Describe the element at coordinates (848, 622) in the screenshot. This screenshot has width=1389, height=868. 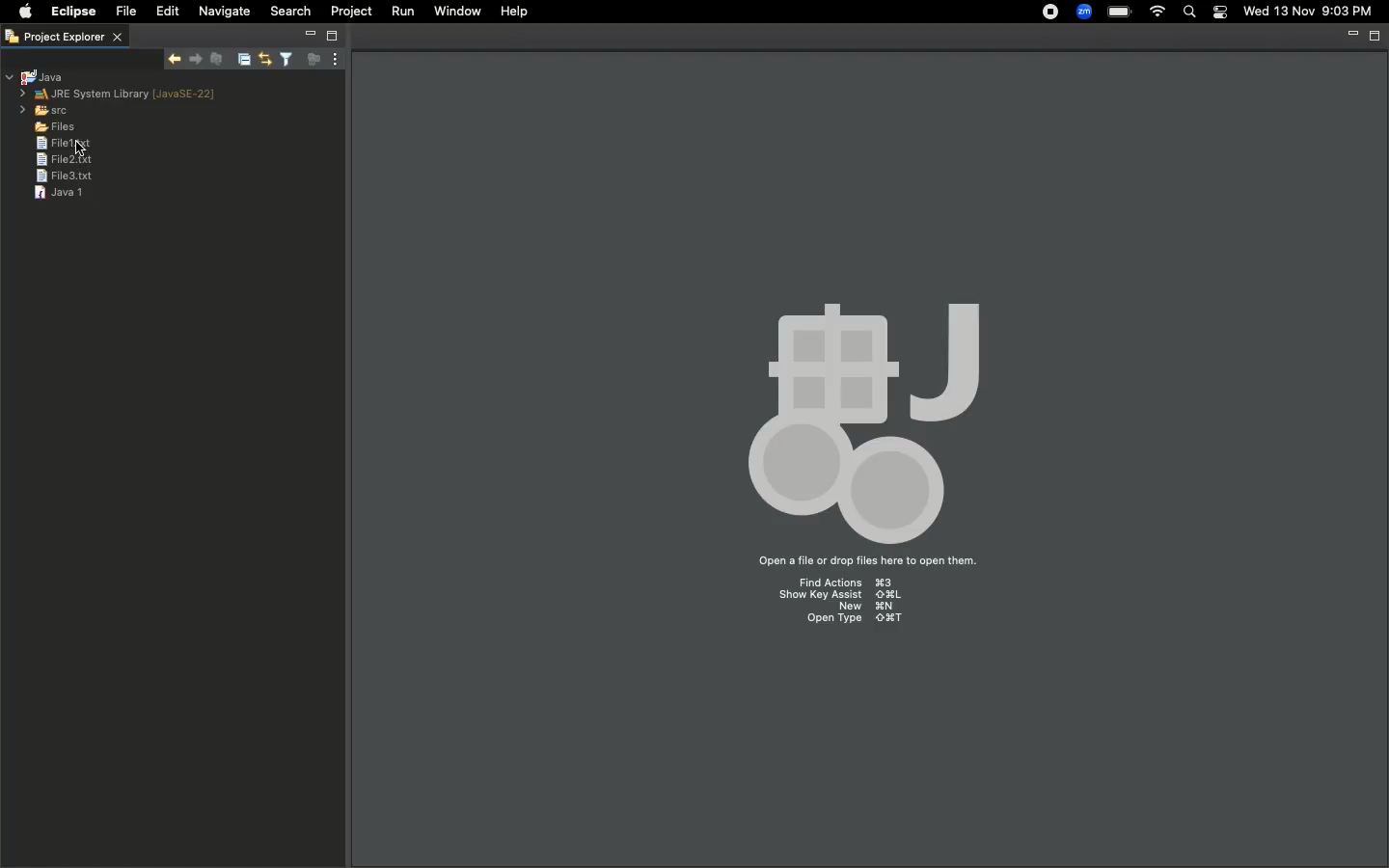
I see `Open type` at that location.